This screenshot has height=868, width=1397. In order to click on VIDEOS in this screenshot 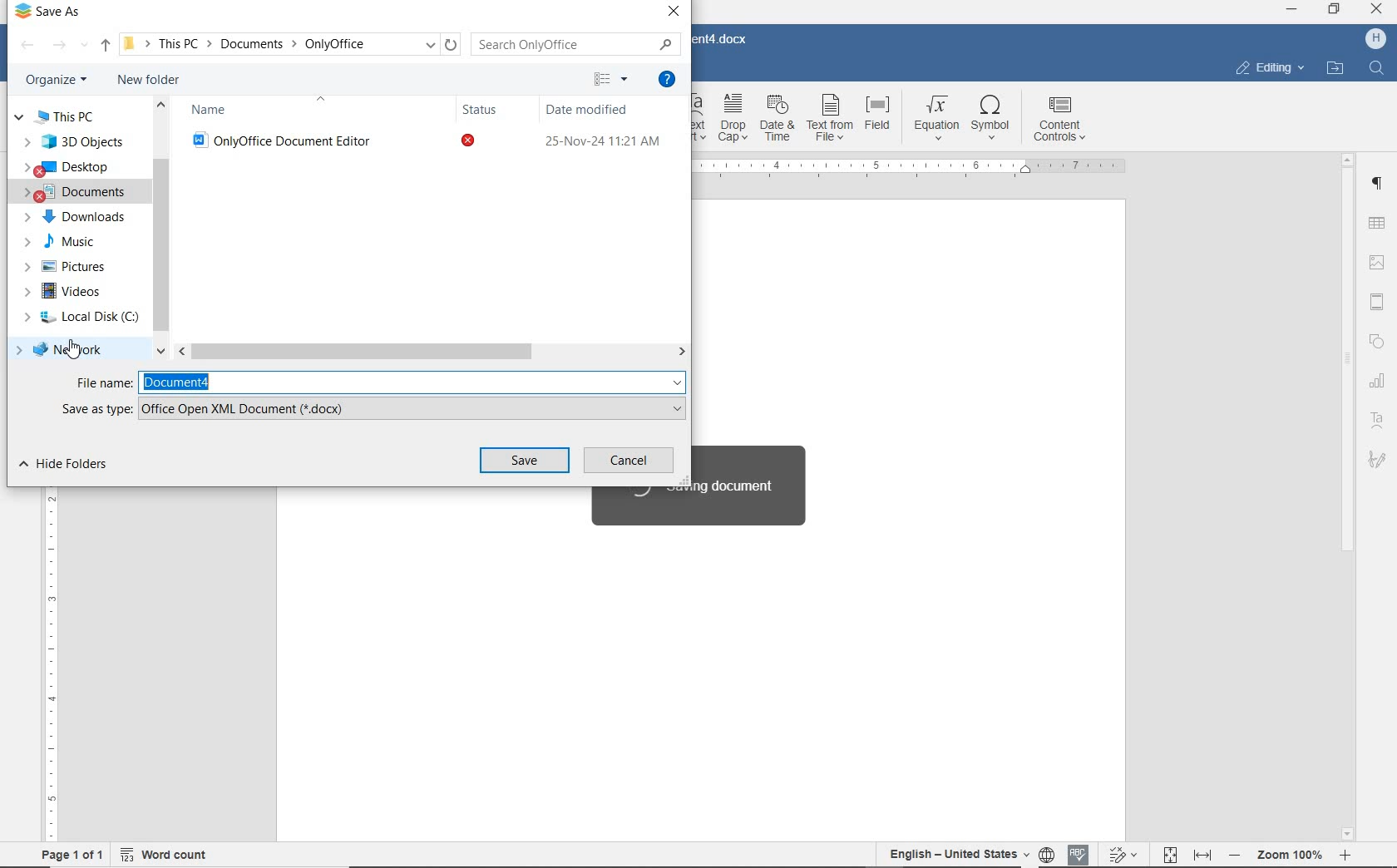, I will do `click(62, 291)`.